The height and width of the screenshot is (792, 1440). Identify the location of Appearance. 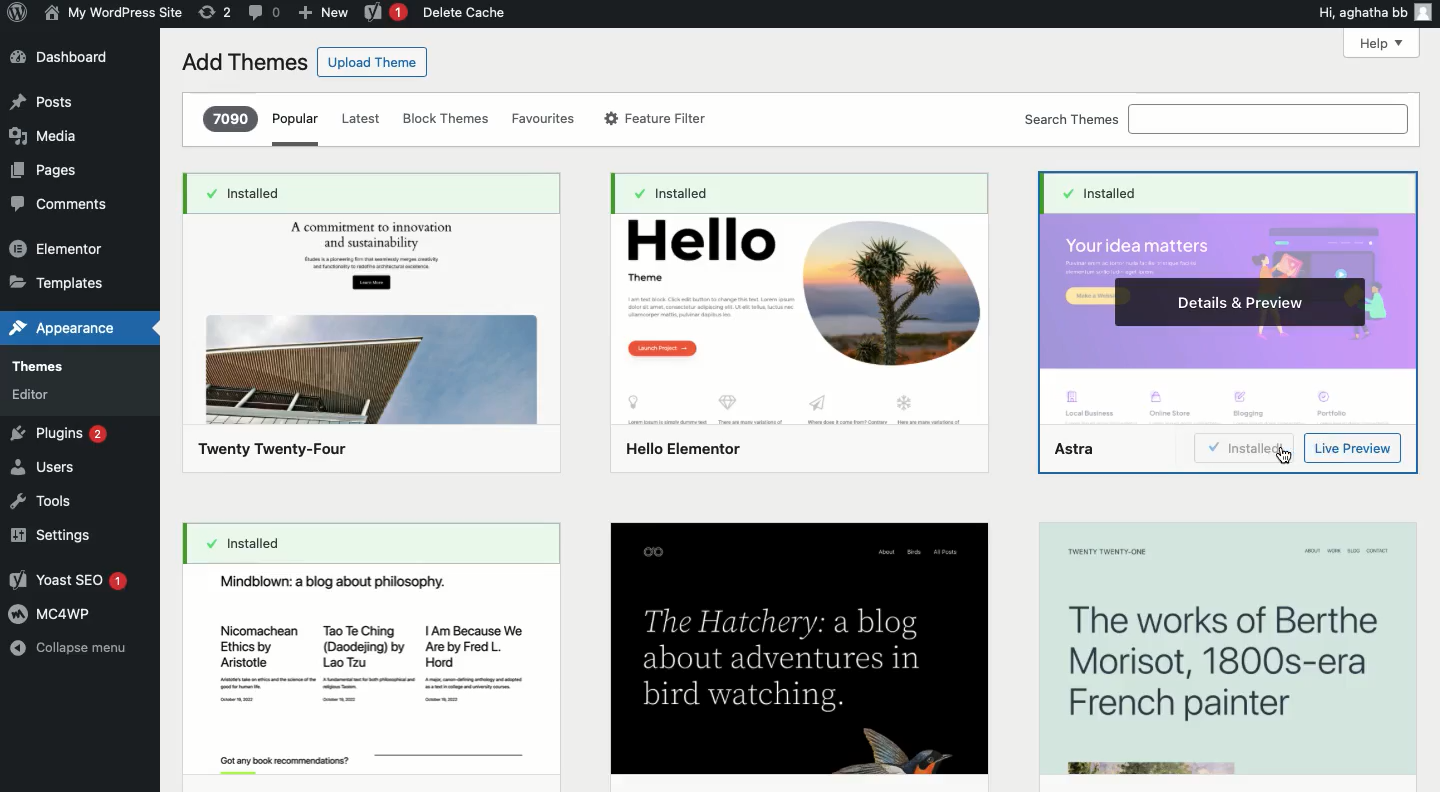
(62, 325).